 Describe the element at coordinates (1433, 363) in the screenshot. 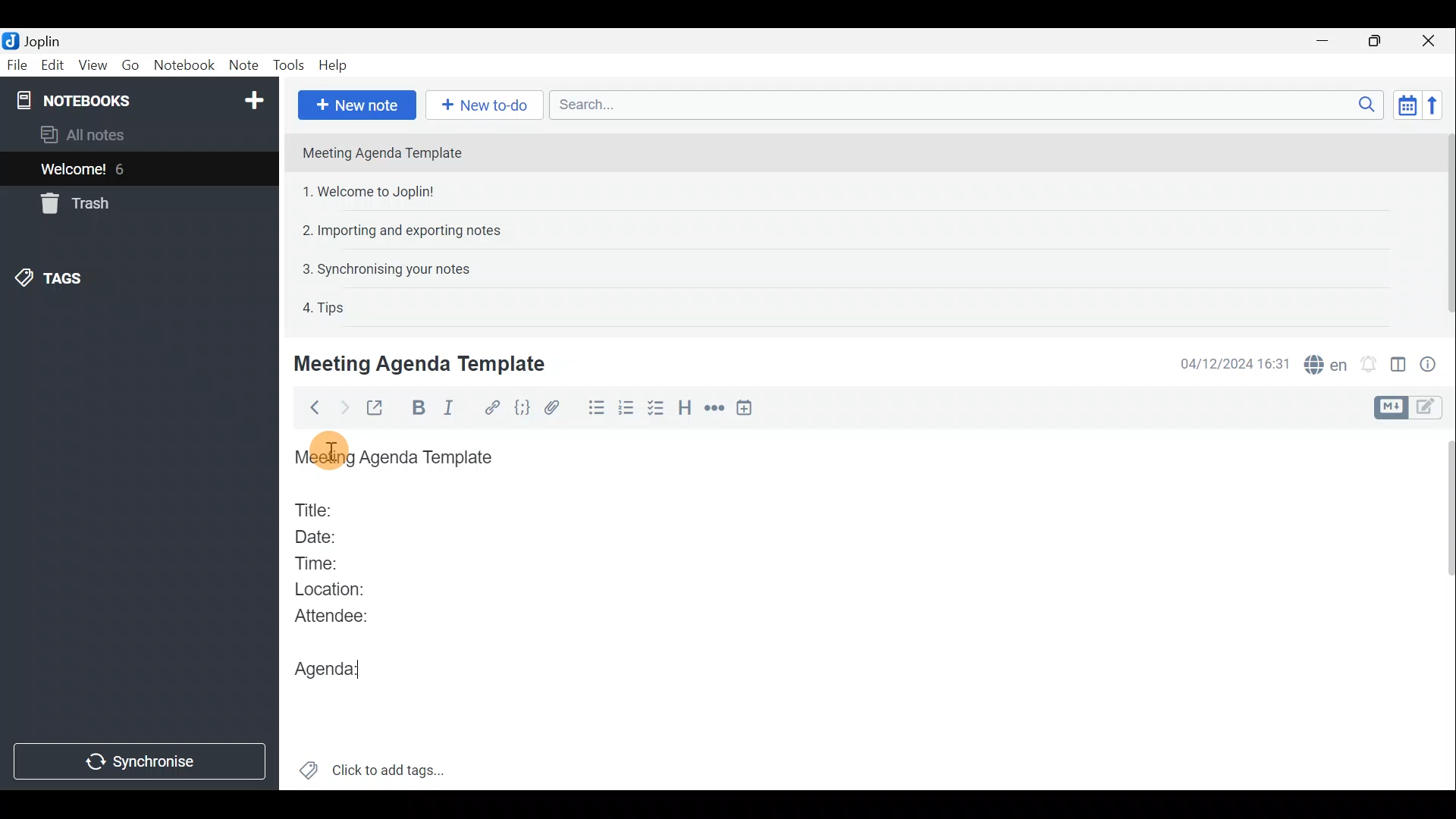

I see `Note properties` at that location.